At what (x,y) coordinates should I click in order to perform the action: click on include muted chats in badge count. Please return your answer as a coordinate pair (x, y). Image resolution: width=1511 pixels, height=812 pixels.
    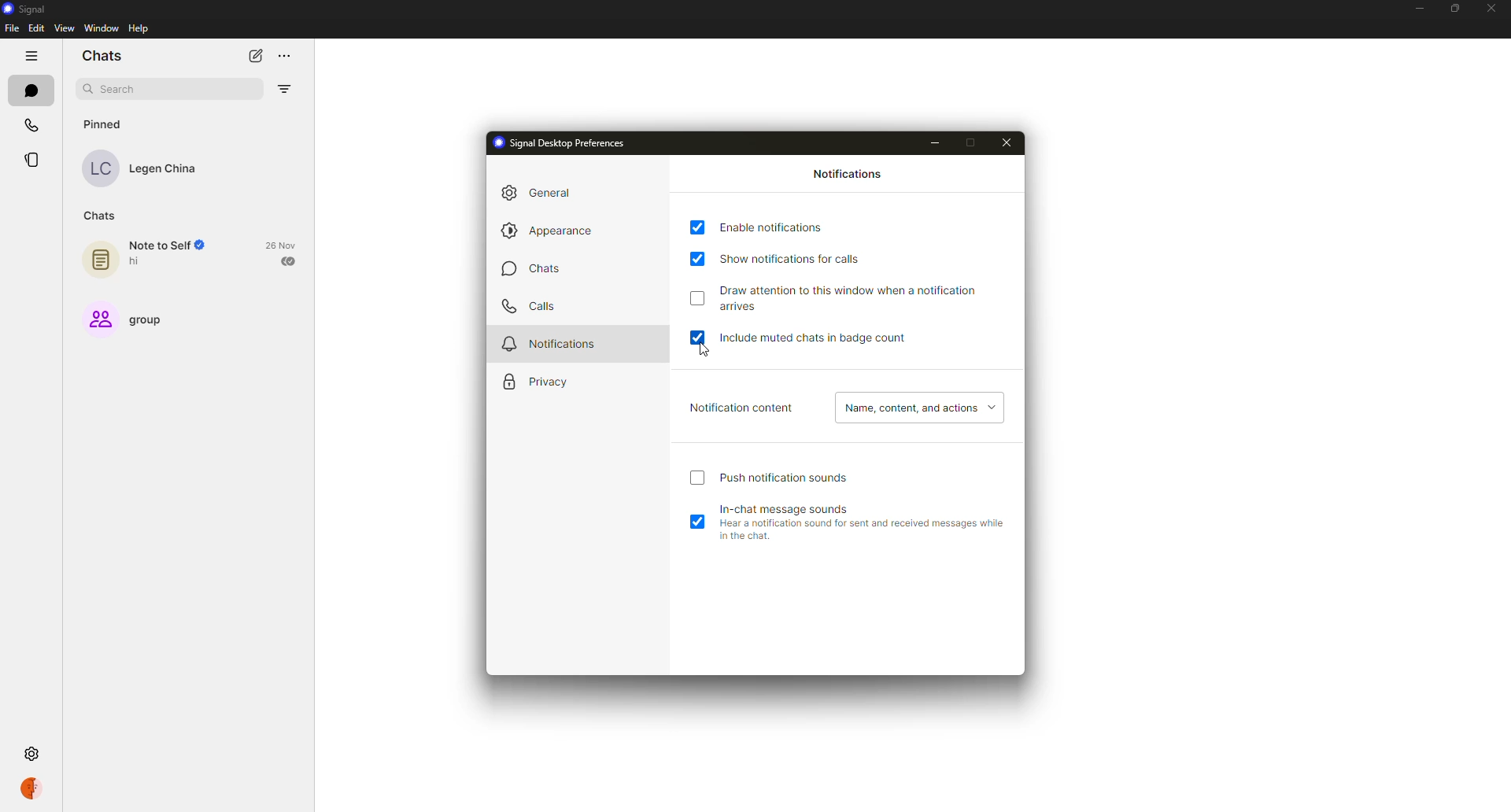
    Looking at the image, I should click on (807, 339).